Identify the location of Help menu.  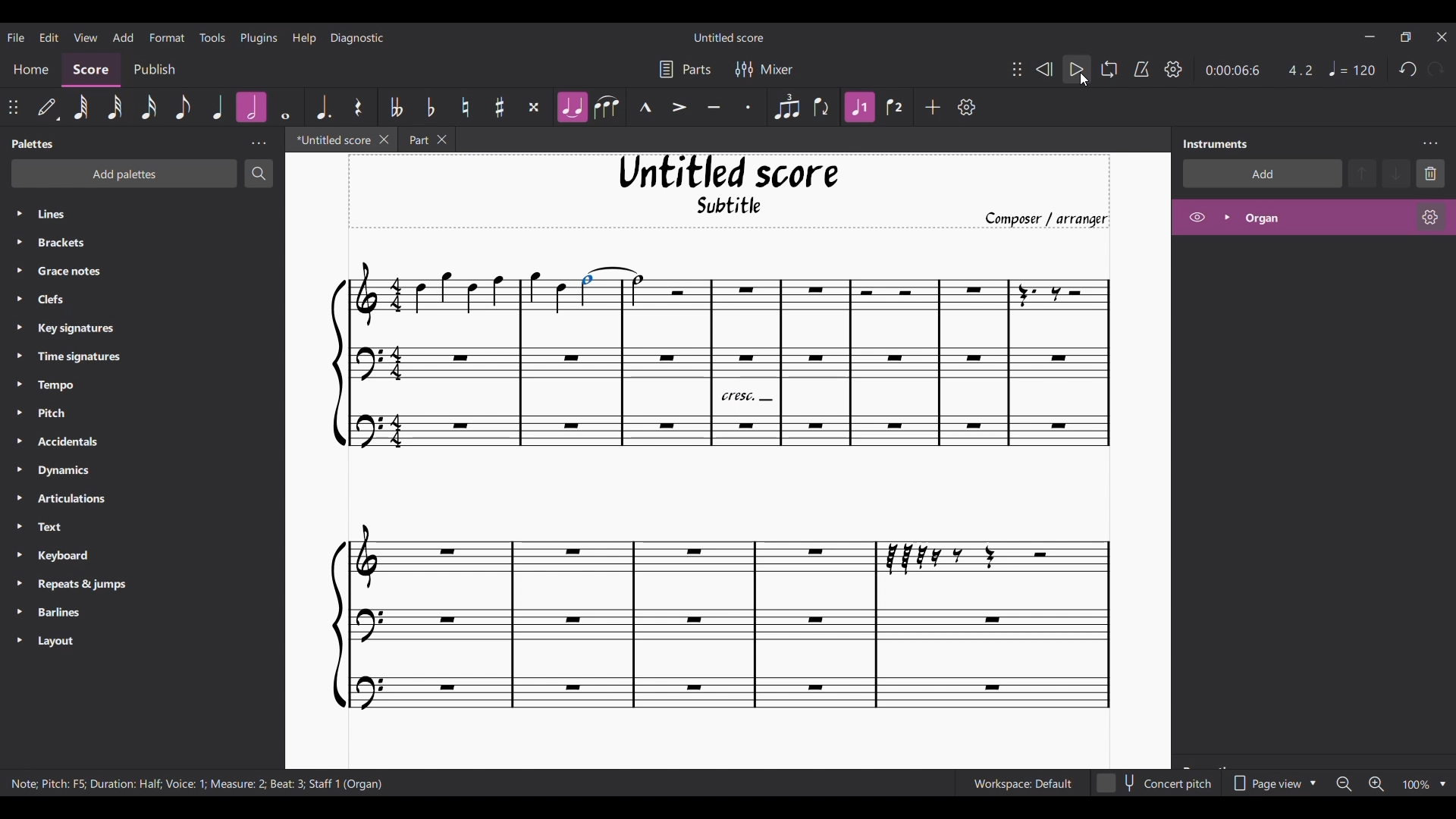
(305, 38).